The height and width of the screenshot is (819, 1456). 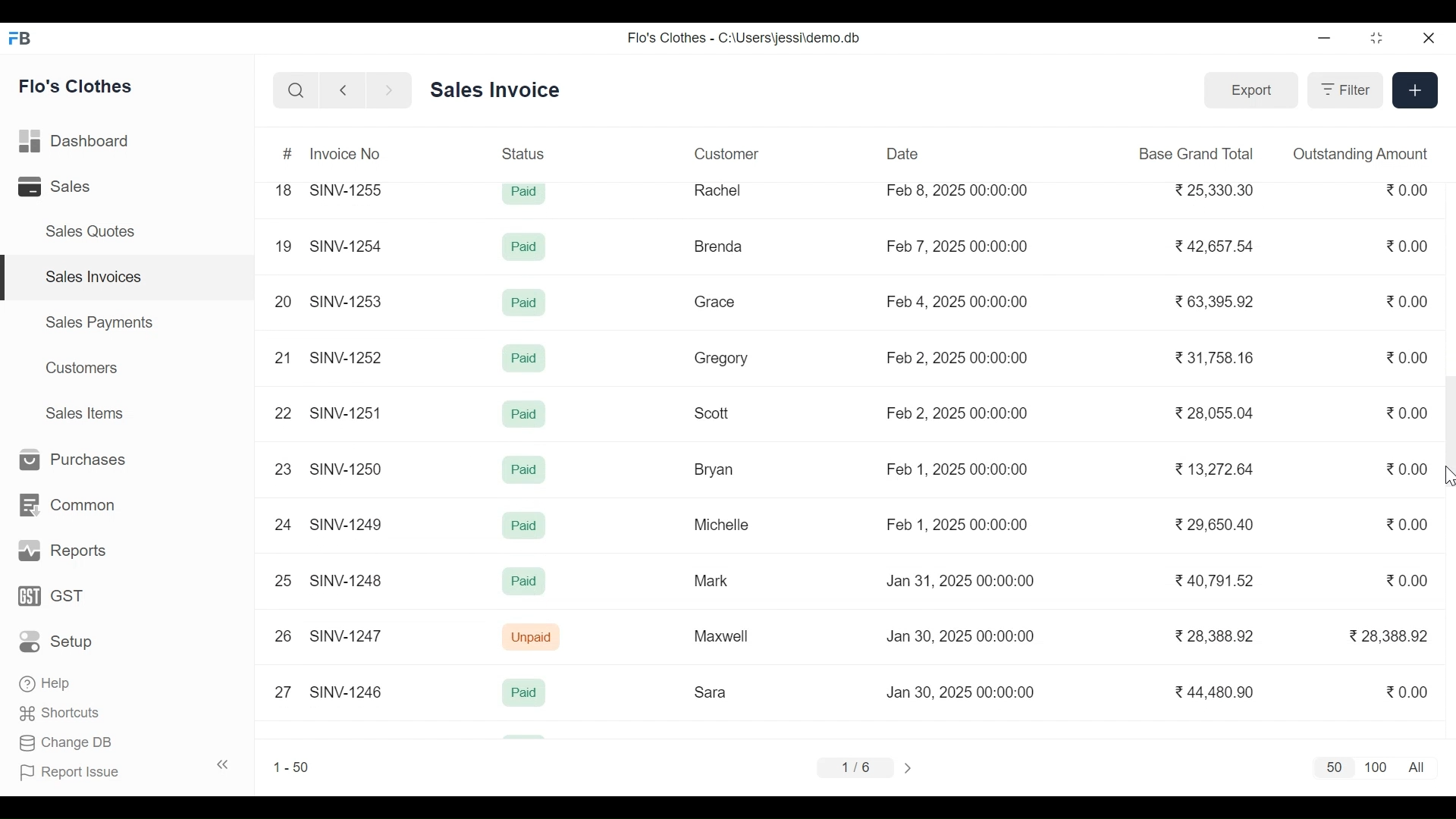 I want to click on Feb 1, 2025 00:00:00, so click(x=957, y=468).